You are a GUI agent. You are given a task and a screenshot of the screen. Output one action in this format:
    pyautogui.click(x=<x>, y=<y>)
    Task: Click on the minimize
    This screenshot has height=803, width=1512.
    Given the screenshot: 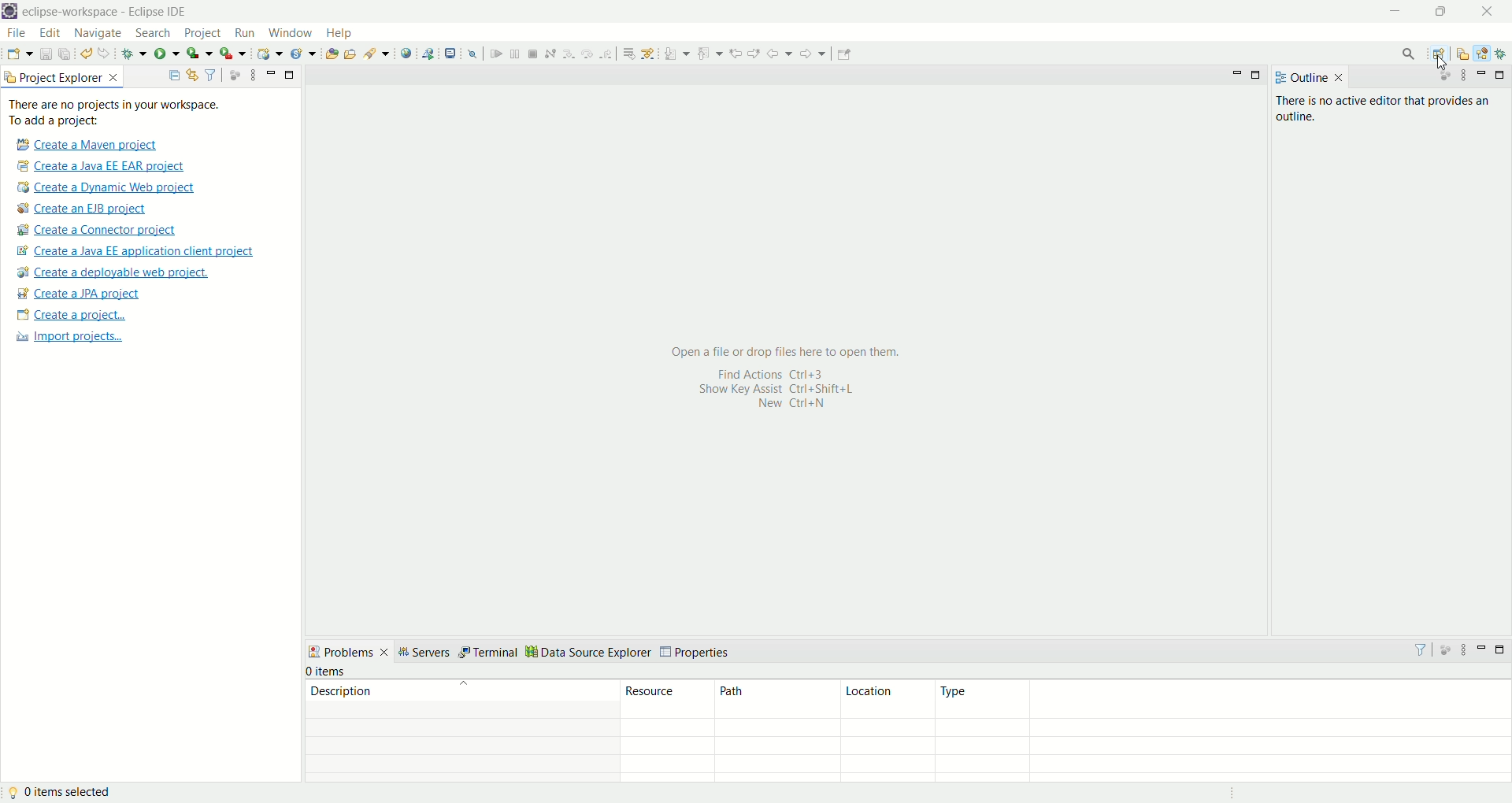 What is the action you would take?
    pyautogui.click(x=269, y=71)
    